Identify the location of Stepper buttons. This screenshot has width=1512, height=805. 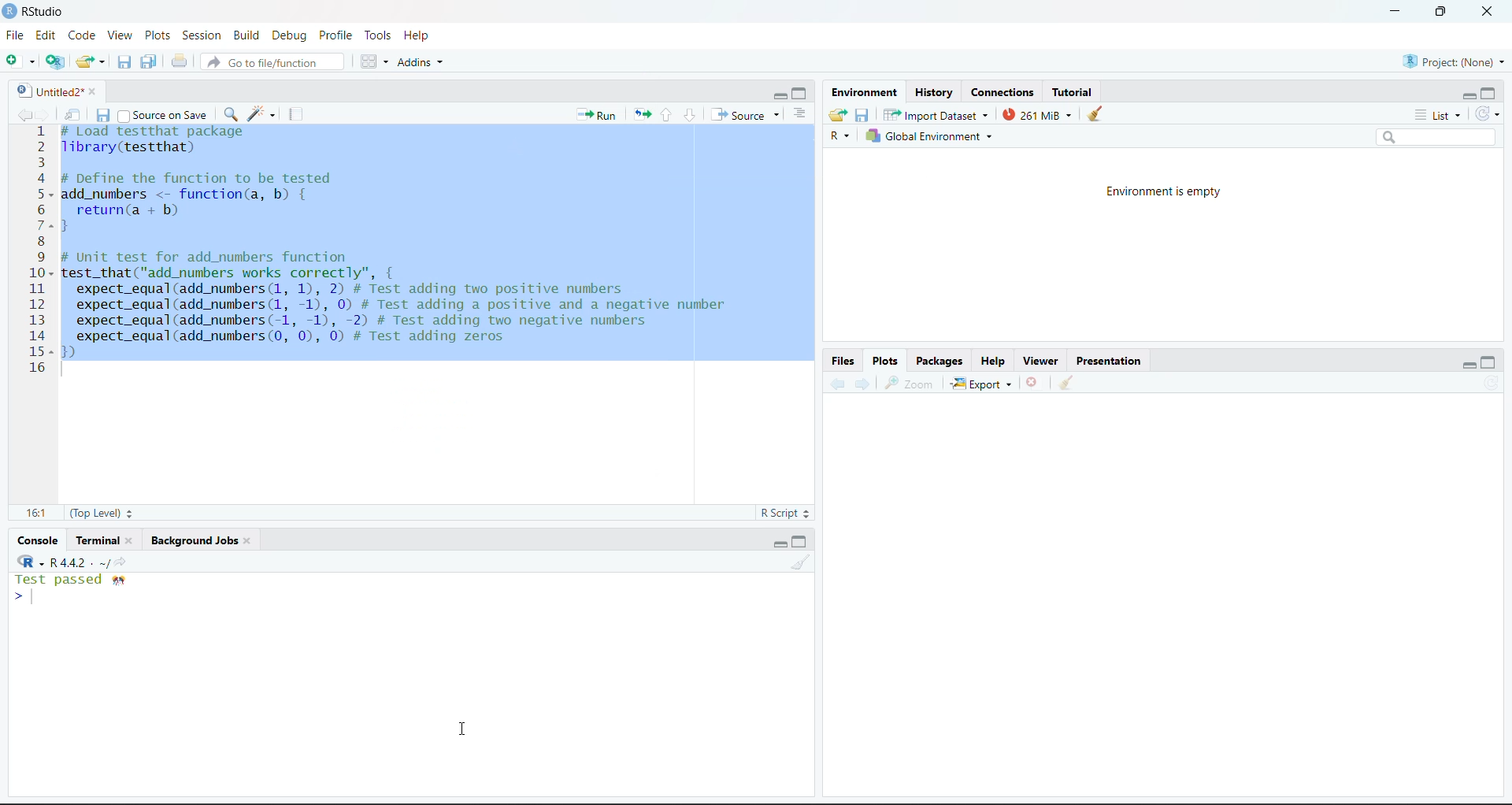
(133, 513).